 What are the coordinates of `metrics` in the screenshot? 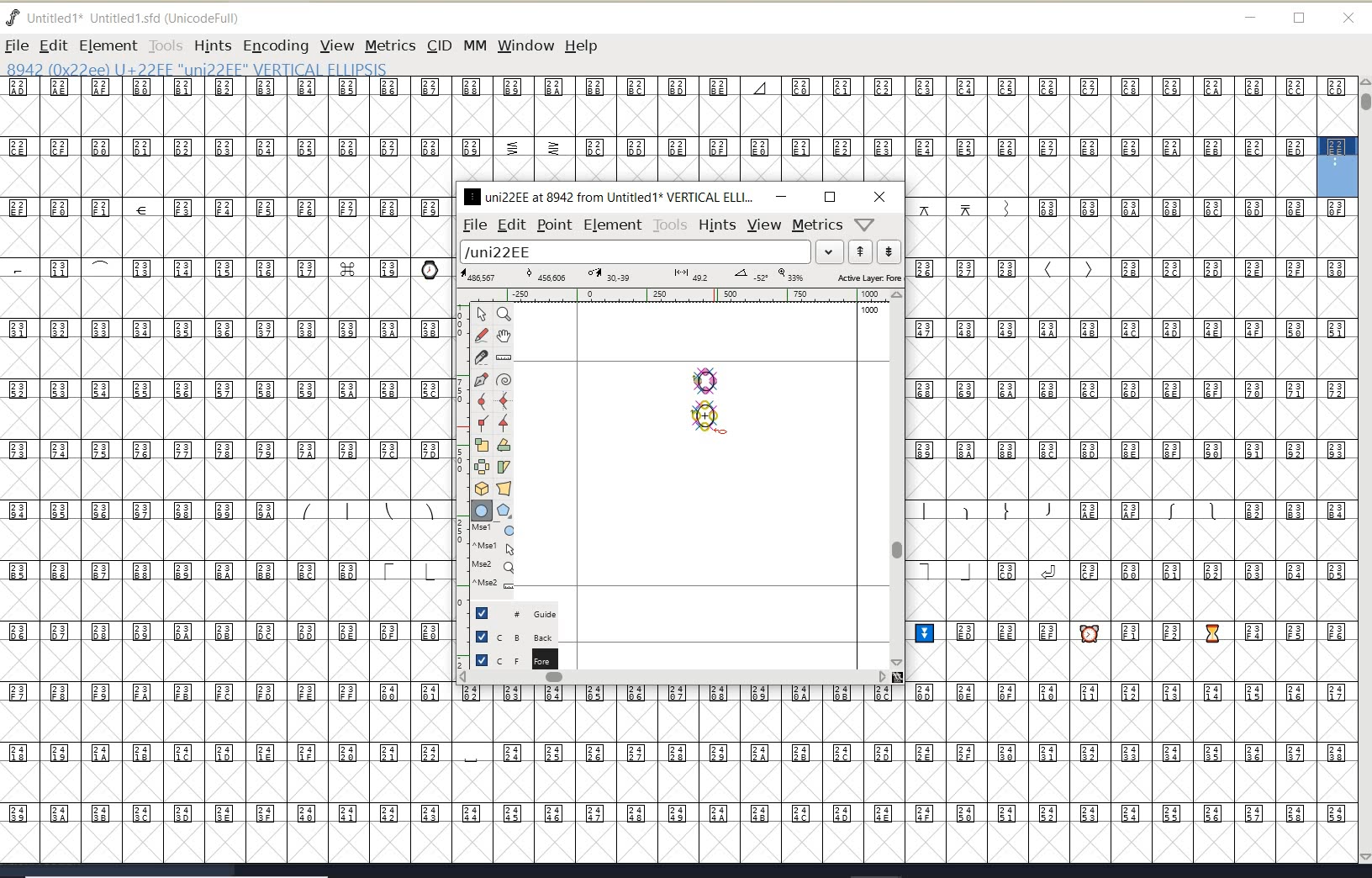 It's located at (817, 225).